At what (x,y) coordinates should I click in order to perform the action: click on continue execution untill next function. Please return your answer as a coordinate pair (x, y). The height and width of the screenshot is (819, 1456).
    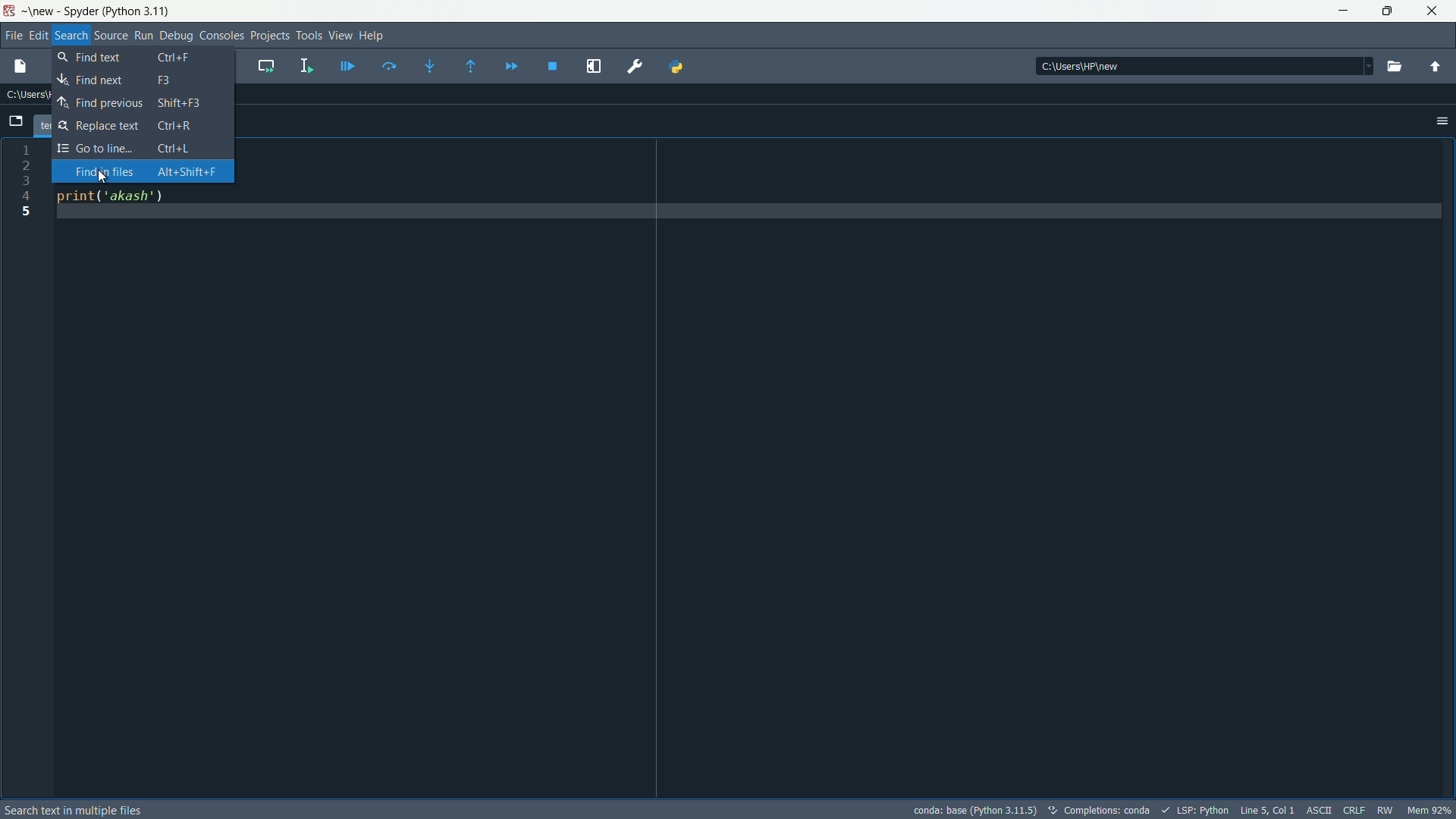
    Looking at the image, I should click on (508, 65).